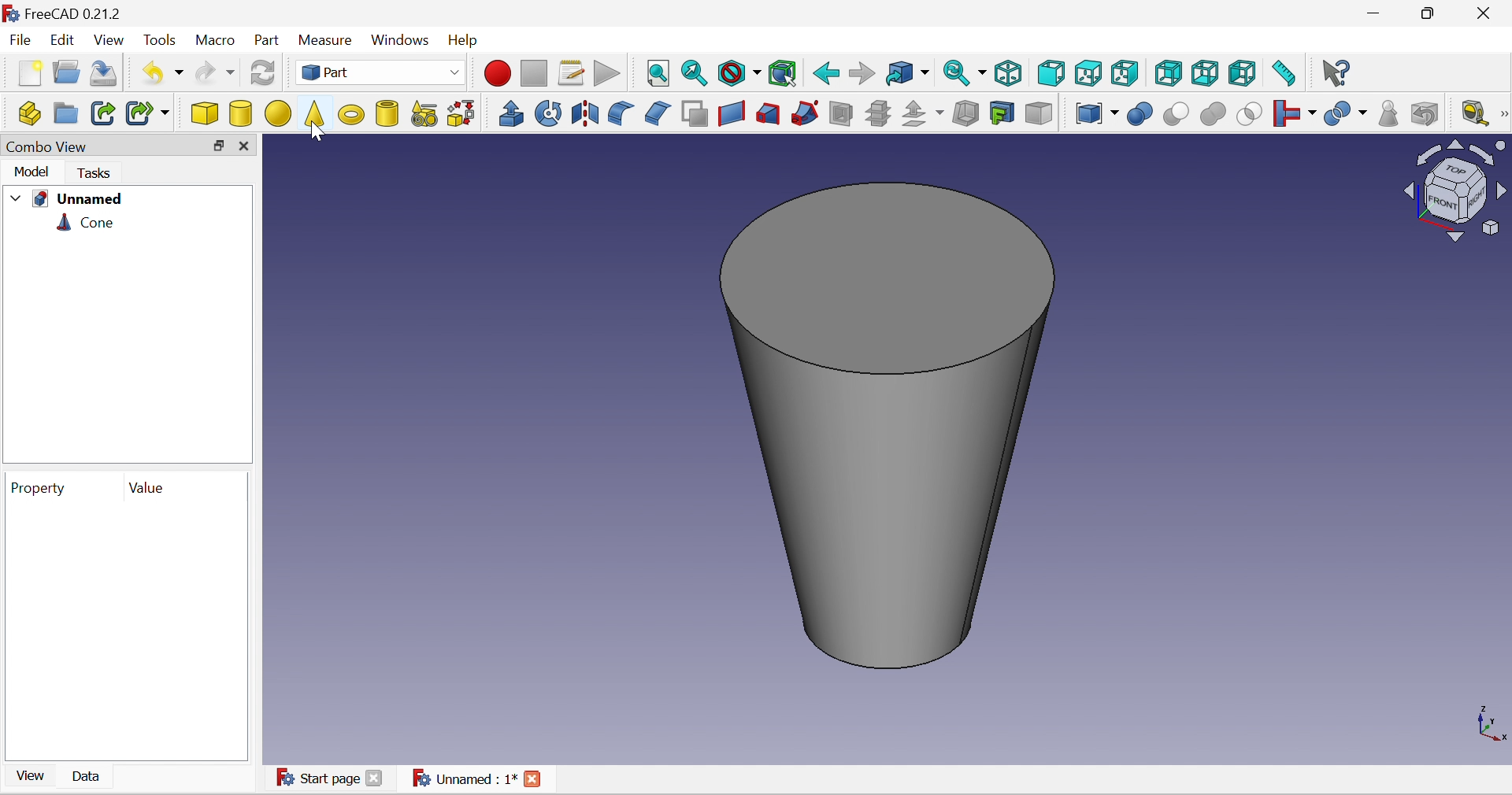 The width and height of the screenshot is (1512, 795). I want to click on [Measure], so click(1503, 112).